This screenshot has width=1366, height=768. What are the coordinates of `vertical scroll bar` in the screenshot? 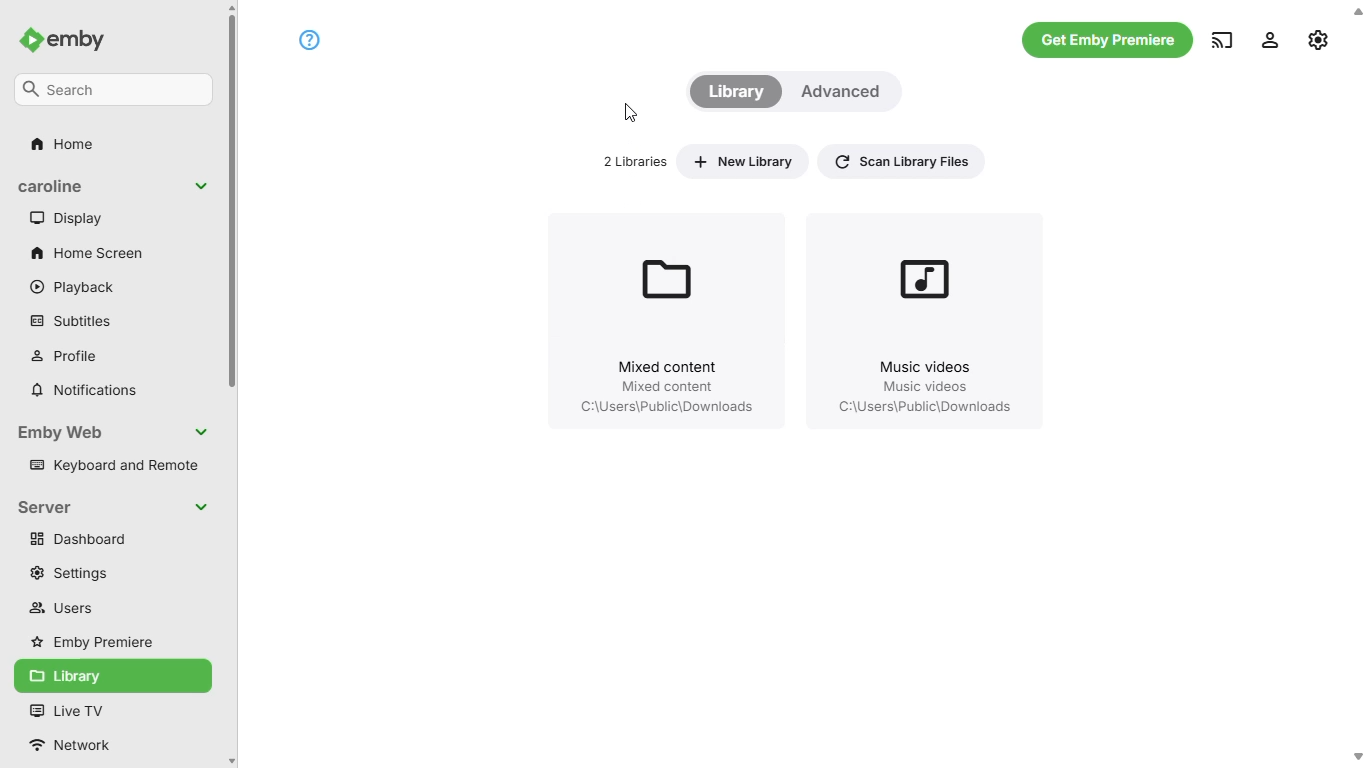 It's located at (234, 384).